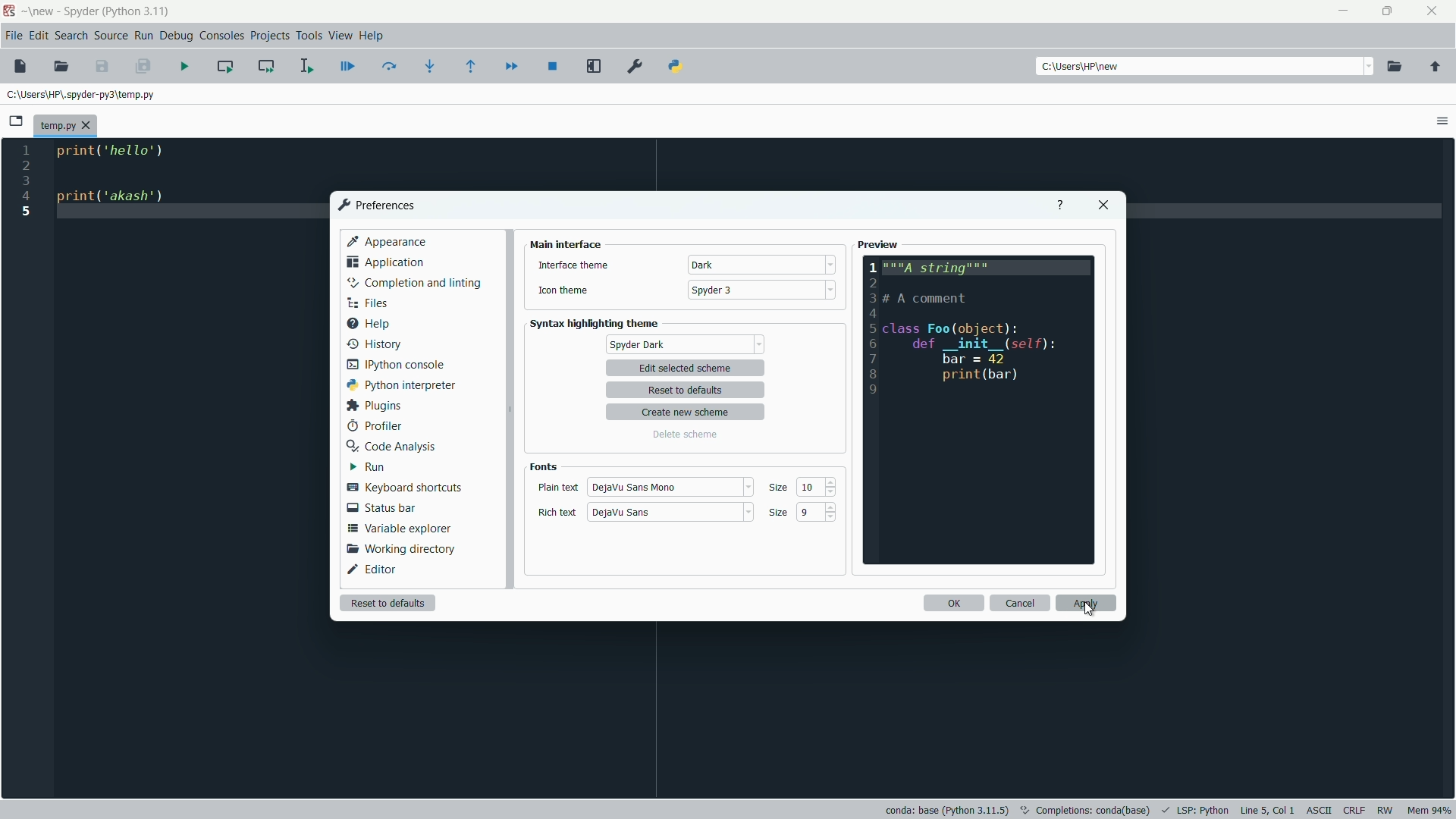 This screenshot has width=1456, height=819. I want to click on rich text style, so click(621, 513).